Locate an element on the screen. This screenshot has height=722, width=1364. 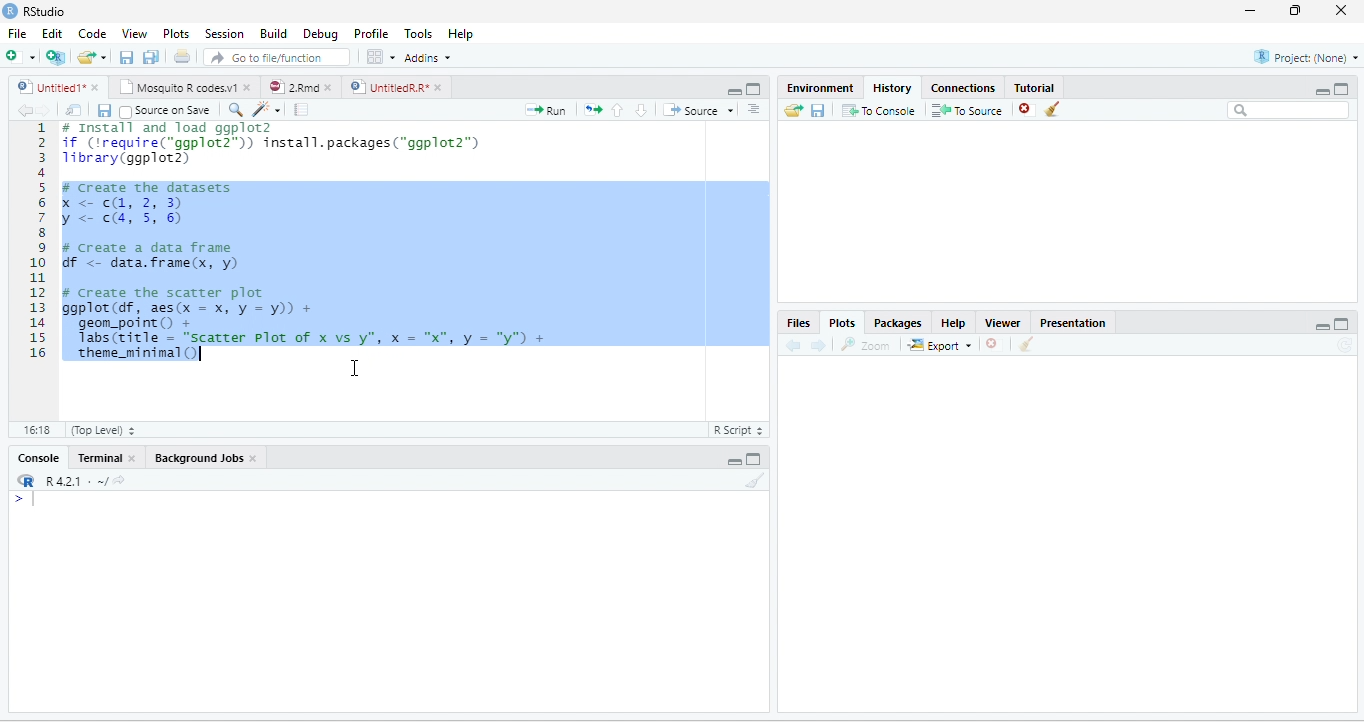
close is located at coordinates (1340, 11).